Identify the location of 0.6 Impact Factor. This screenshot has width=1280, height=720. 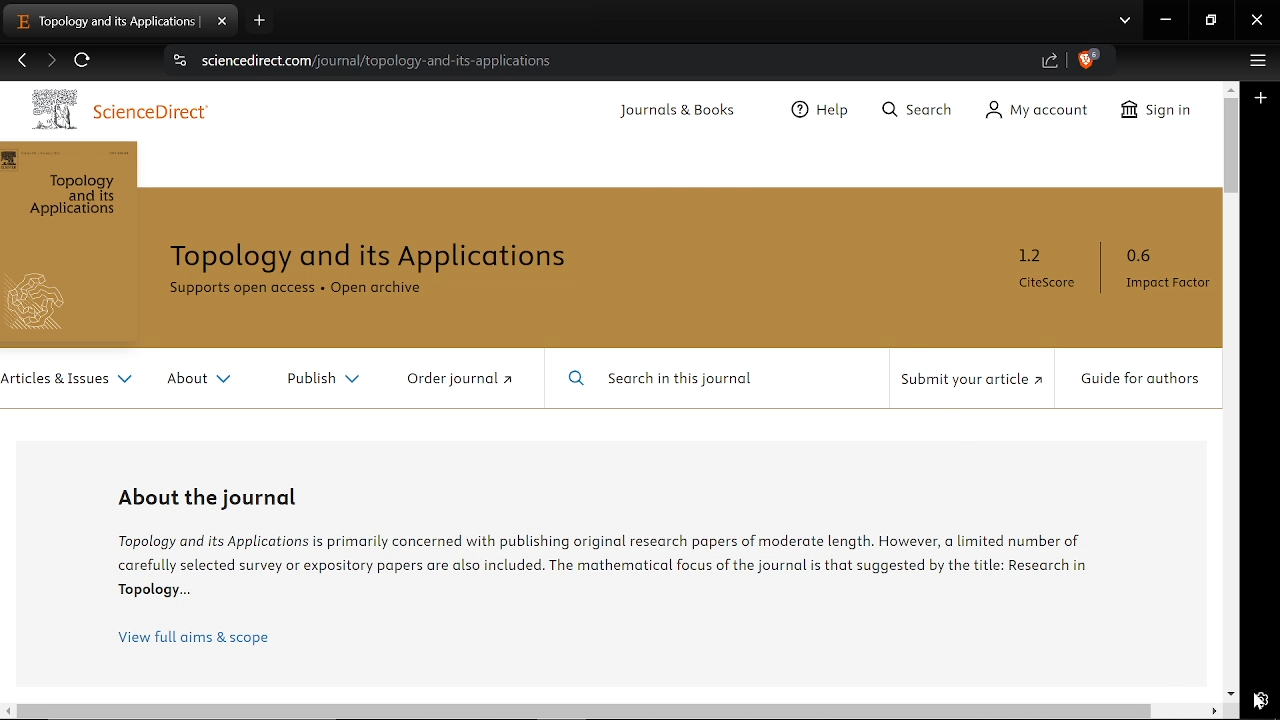
(1167, 268).